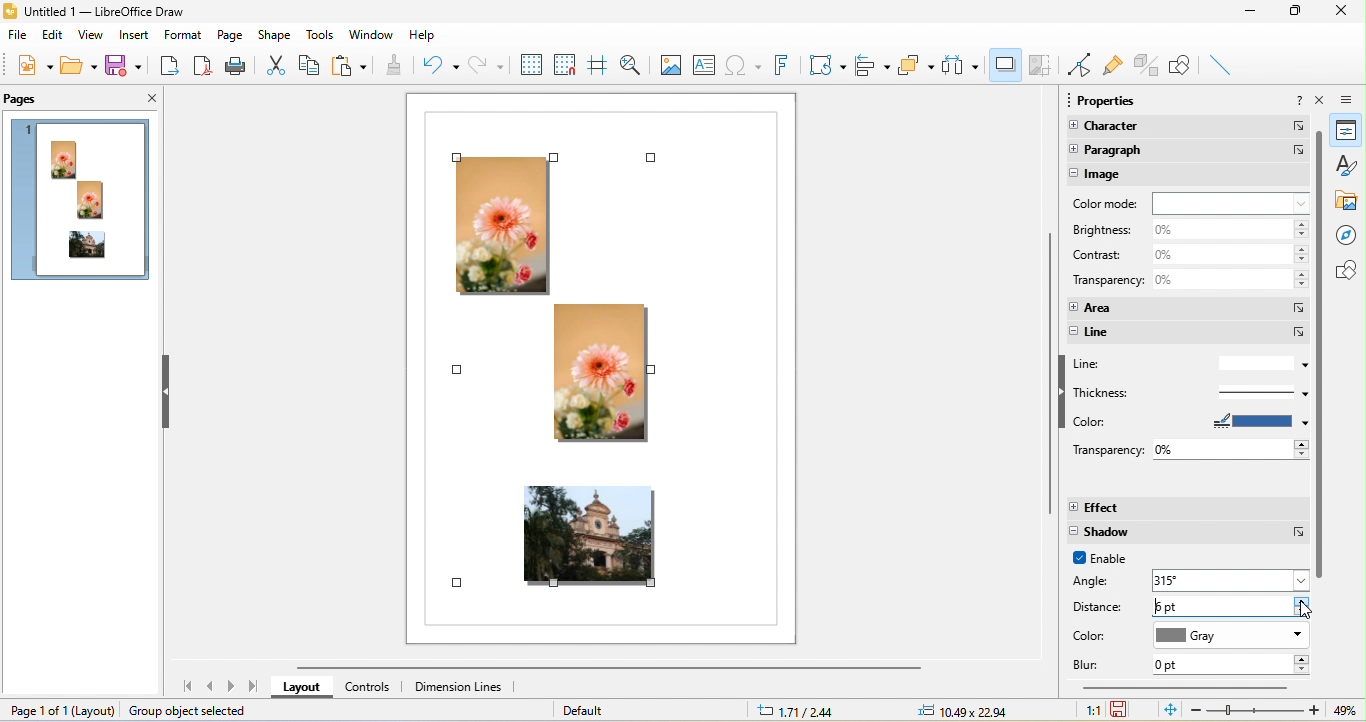  What do you see at coordinates (743, 63) in the screenshot?
I see `special character` at bounding box center [743, 63].